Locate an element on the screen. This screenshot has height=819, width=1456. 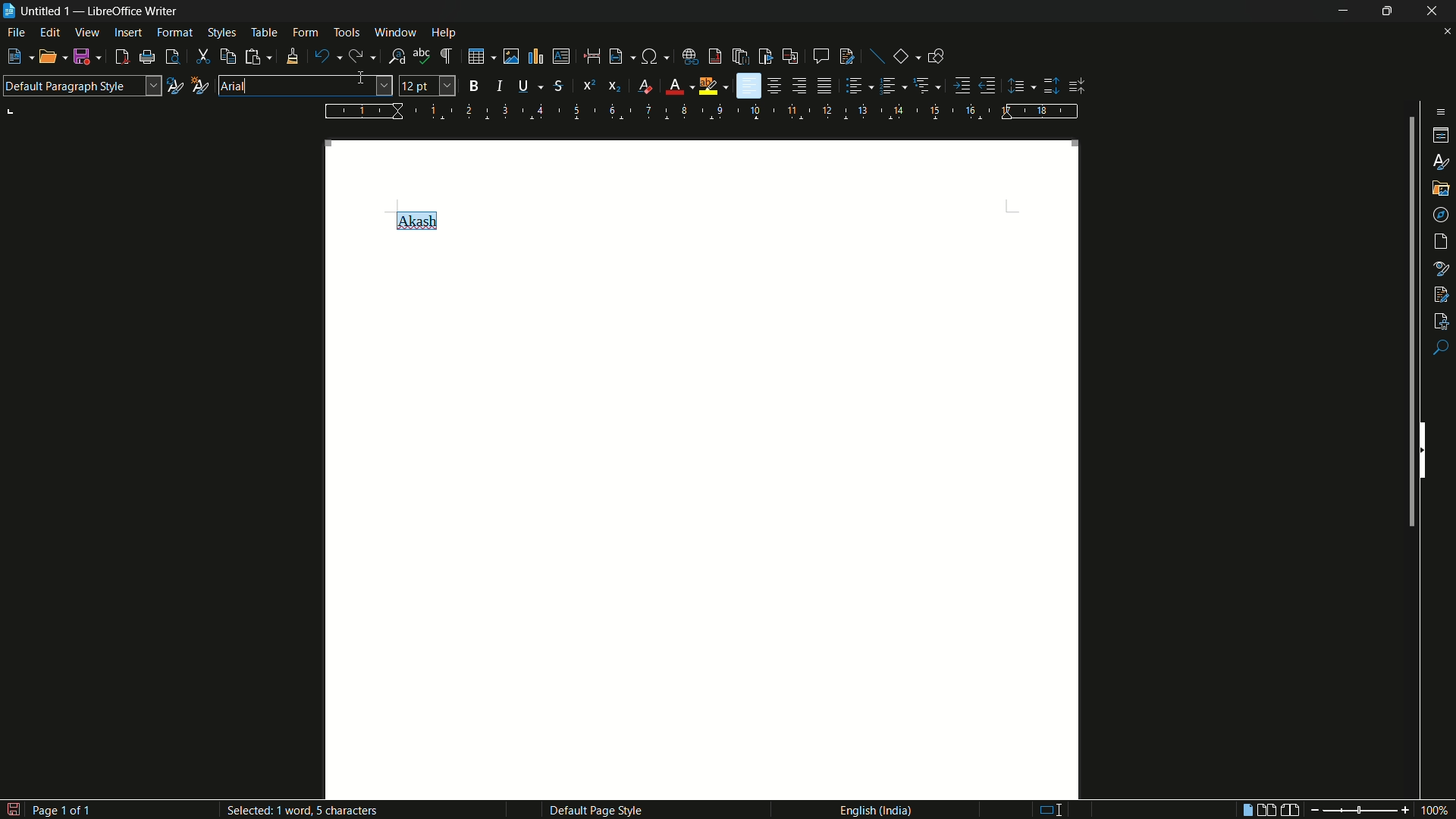
zoom in is located at coordinates (1404, 810).